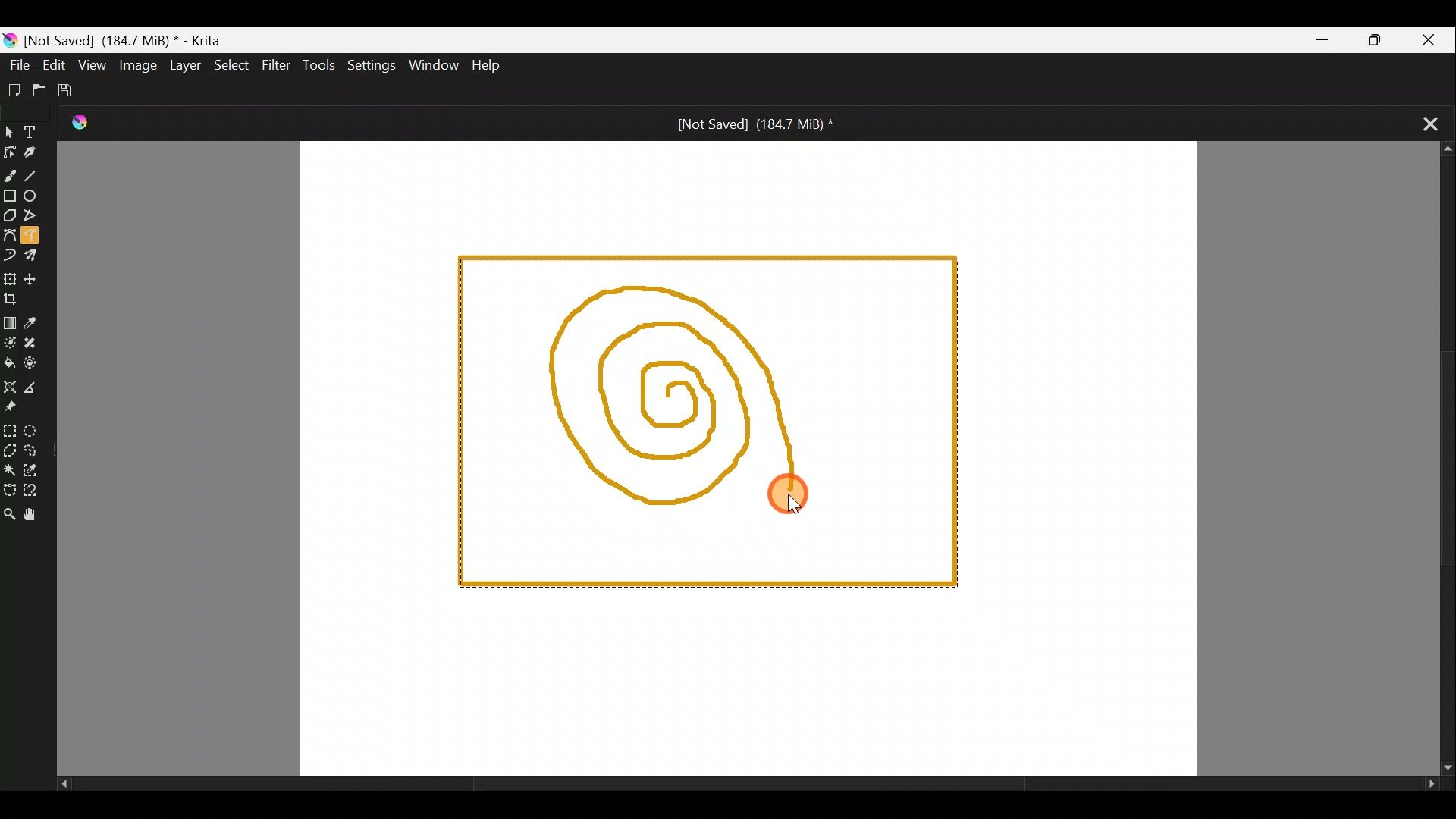 This screenshot has width=1456, height=819. I want to click on Measure the distance between two points, so click(32, 388).